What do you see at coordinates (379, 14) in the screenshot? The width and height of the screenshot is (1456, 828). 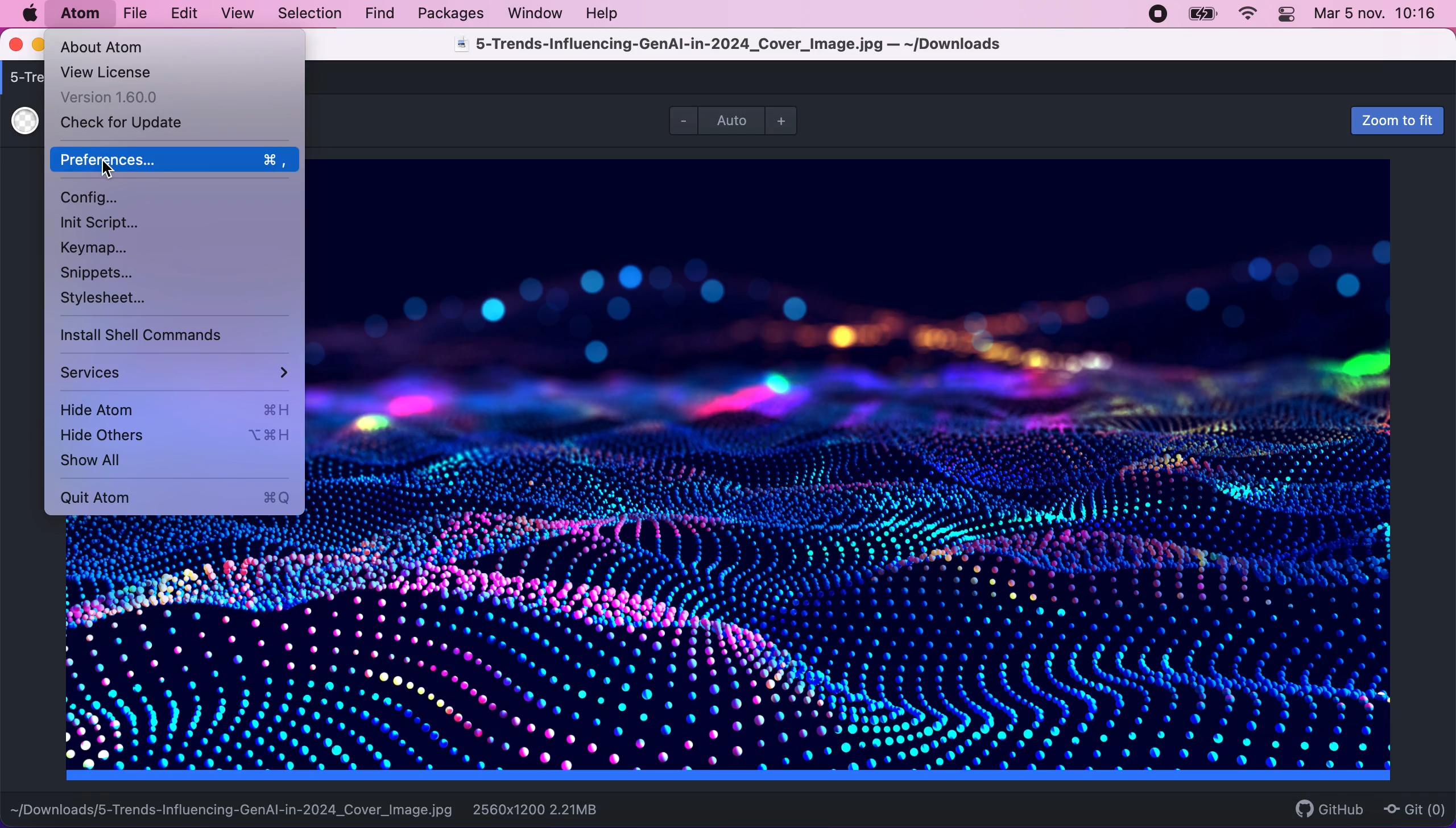 I see `find` at bounding box center [379, 14].